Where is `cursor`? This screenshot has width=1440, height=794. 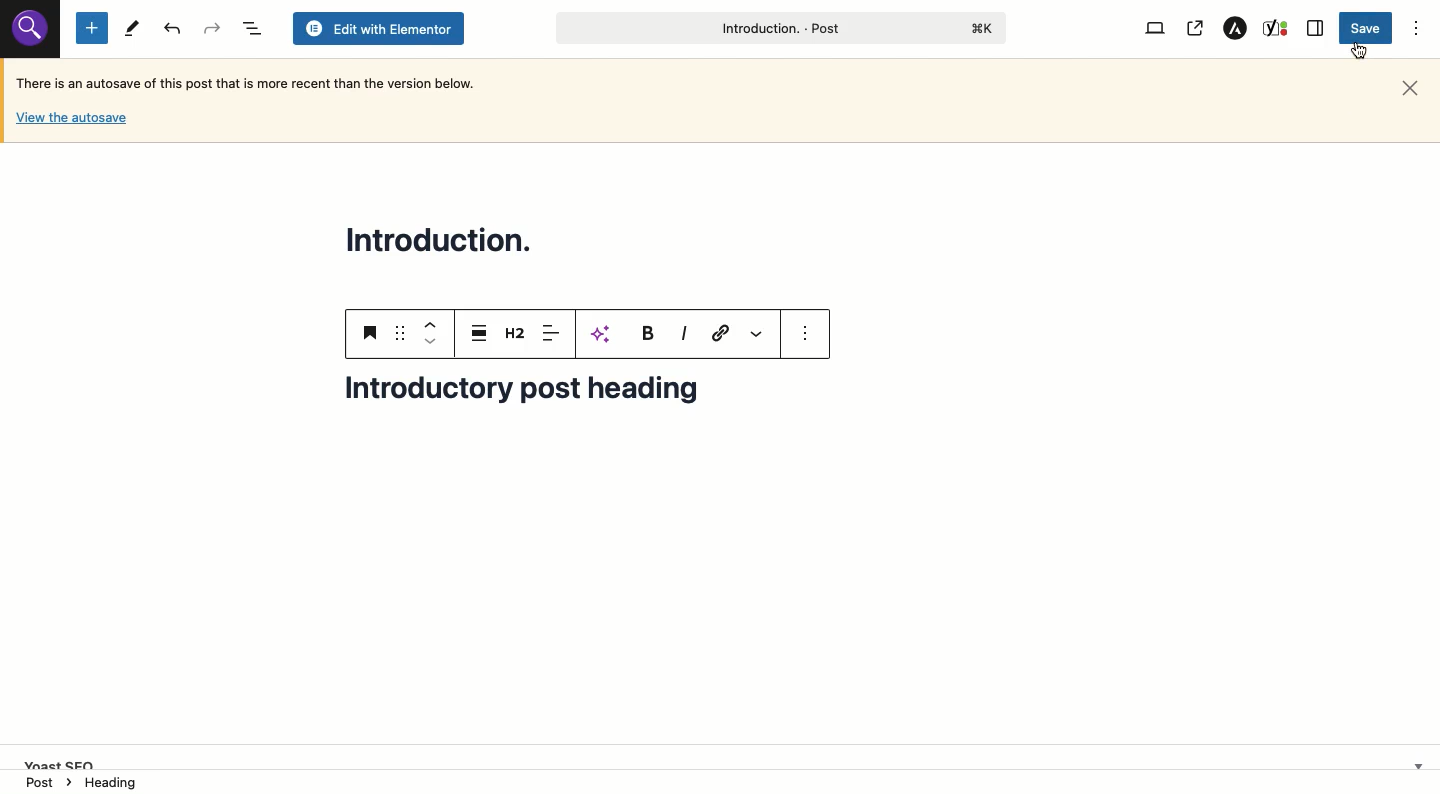
cursor is located at coordinates (1357, 50).